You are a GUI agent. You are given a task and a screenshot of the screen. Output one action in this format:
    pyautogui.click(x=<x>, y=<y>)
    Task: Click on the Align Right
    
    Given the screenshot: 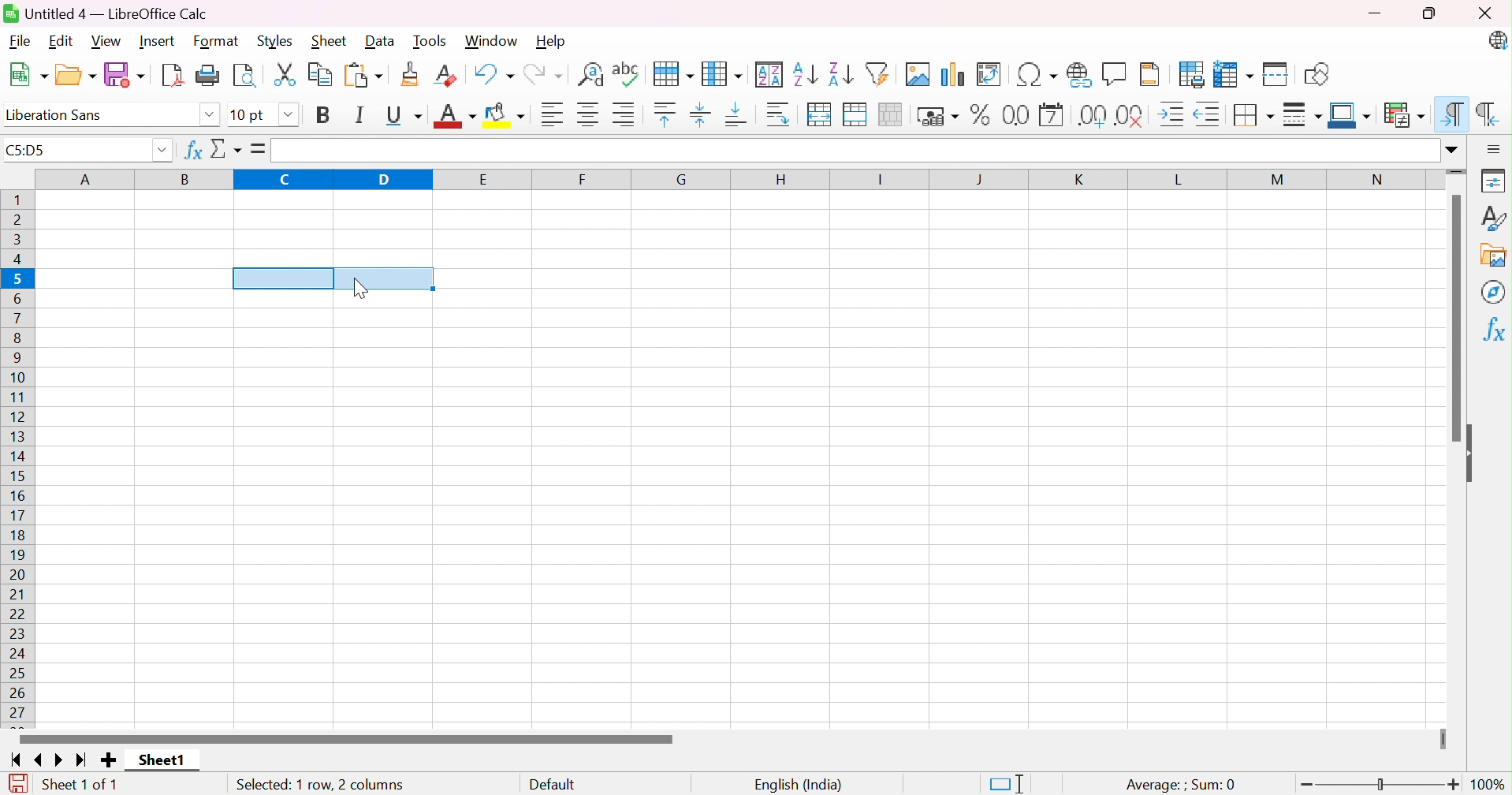 What is the action you would take?
    pyautogui.click(x=627, y=115)
    